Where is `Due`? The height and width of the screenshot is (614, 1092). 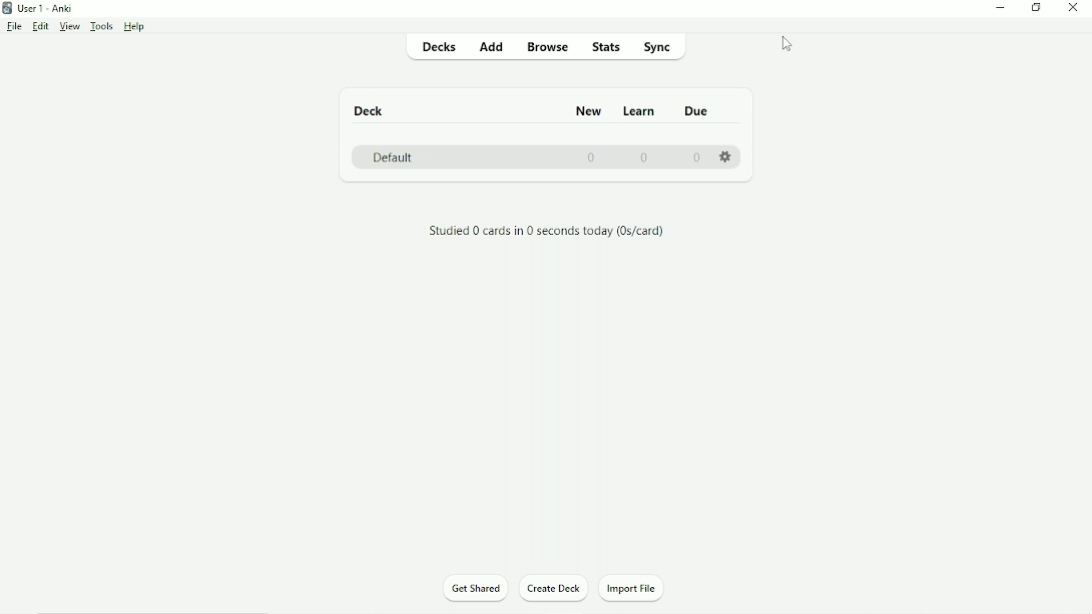
Due is located at coordinates (697, 109).